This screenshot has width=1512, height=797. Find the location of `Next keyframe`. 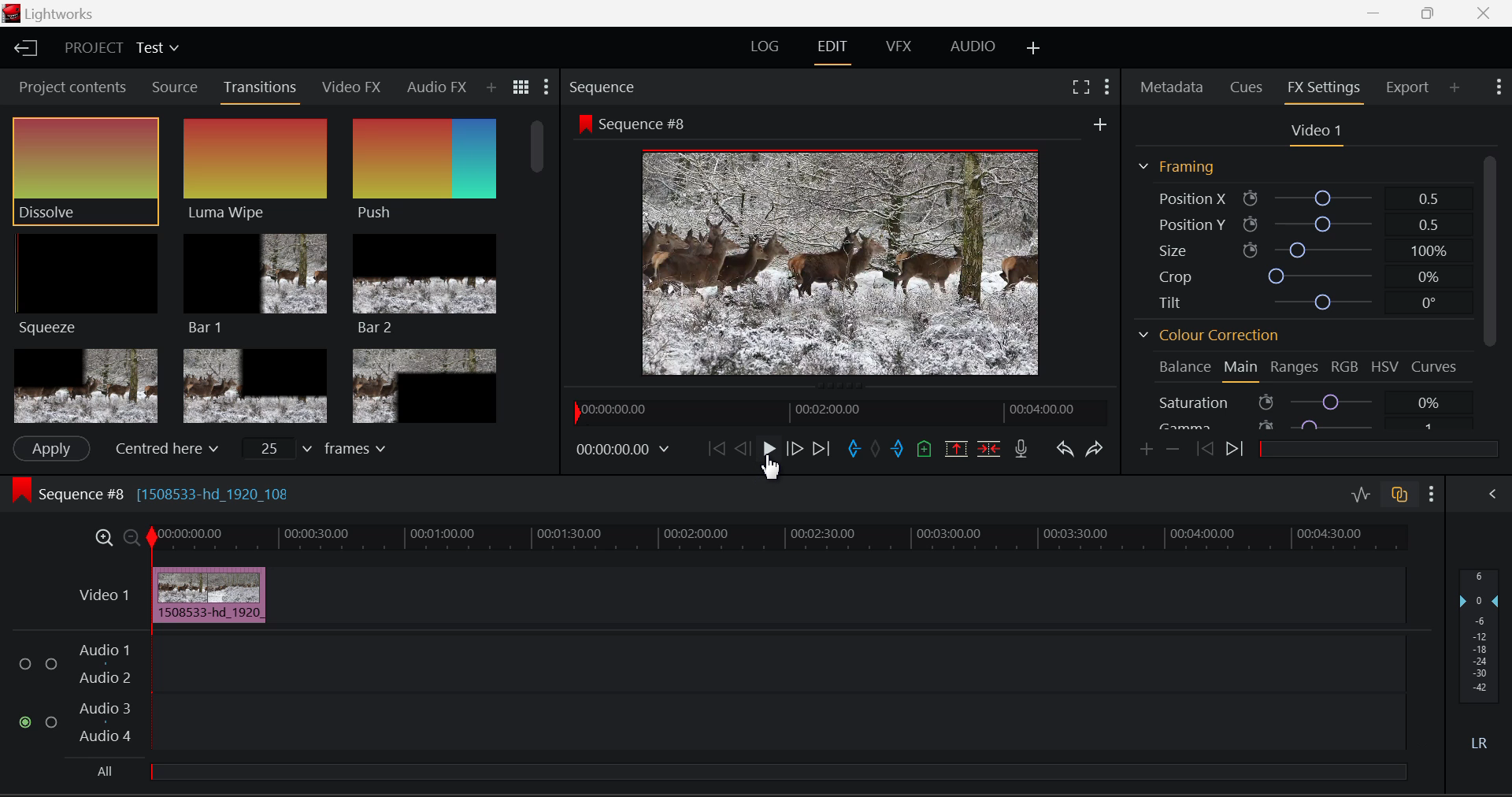

Next keyframe is located at coordinates (1232, 449).